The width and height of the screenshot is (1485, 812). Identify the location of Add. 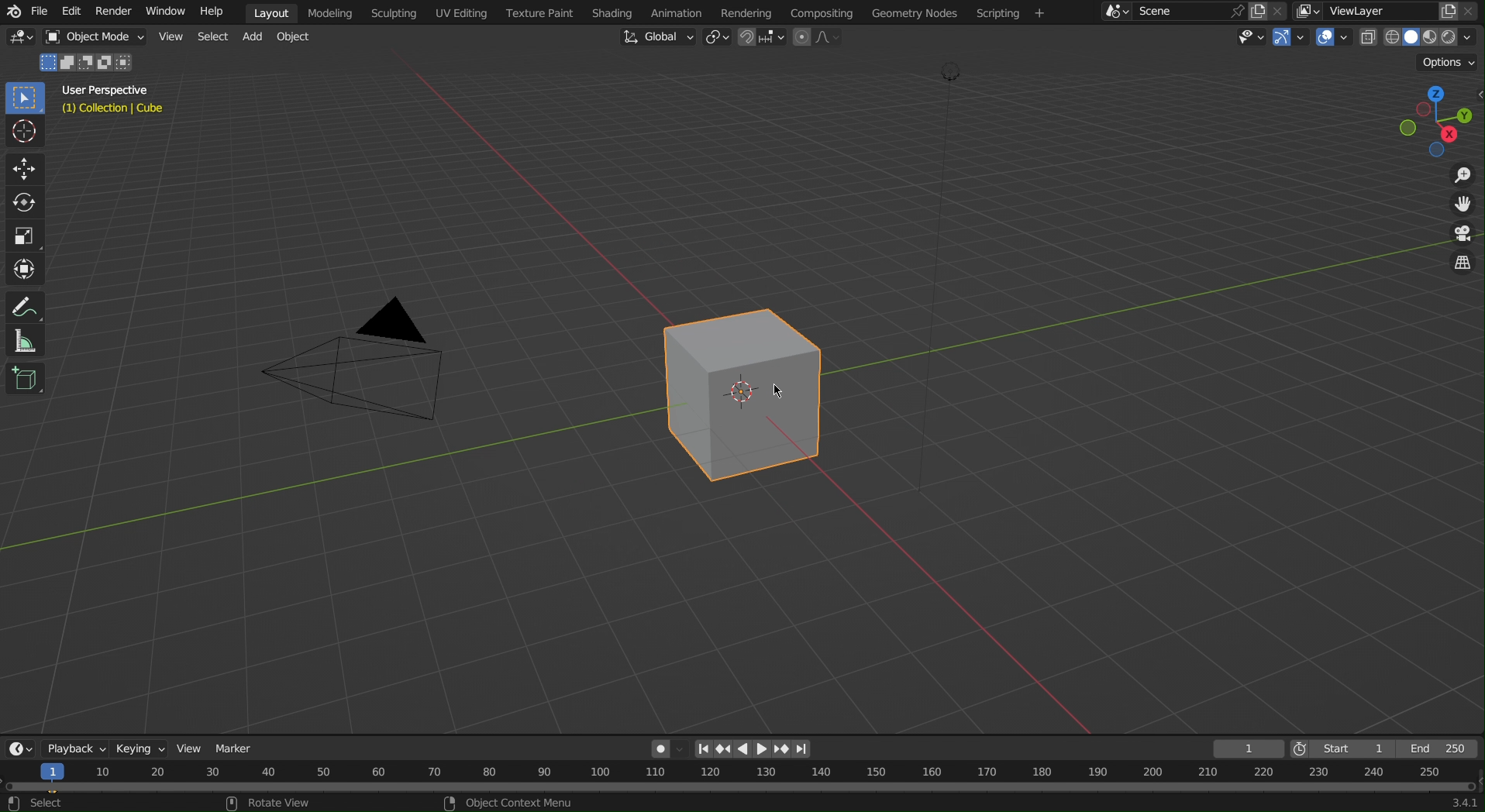
(253, 37).